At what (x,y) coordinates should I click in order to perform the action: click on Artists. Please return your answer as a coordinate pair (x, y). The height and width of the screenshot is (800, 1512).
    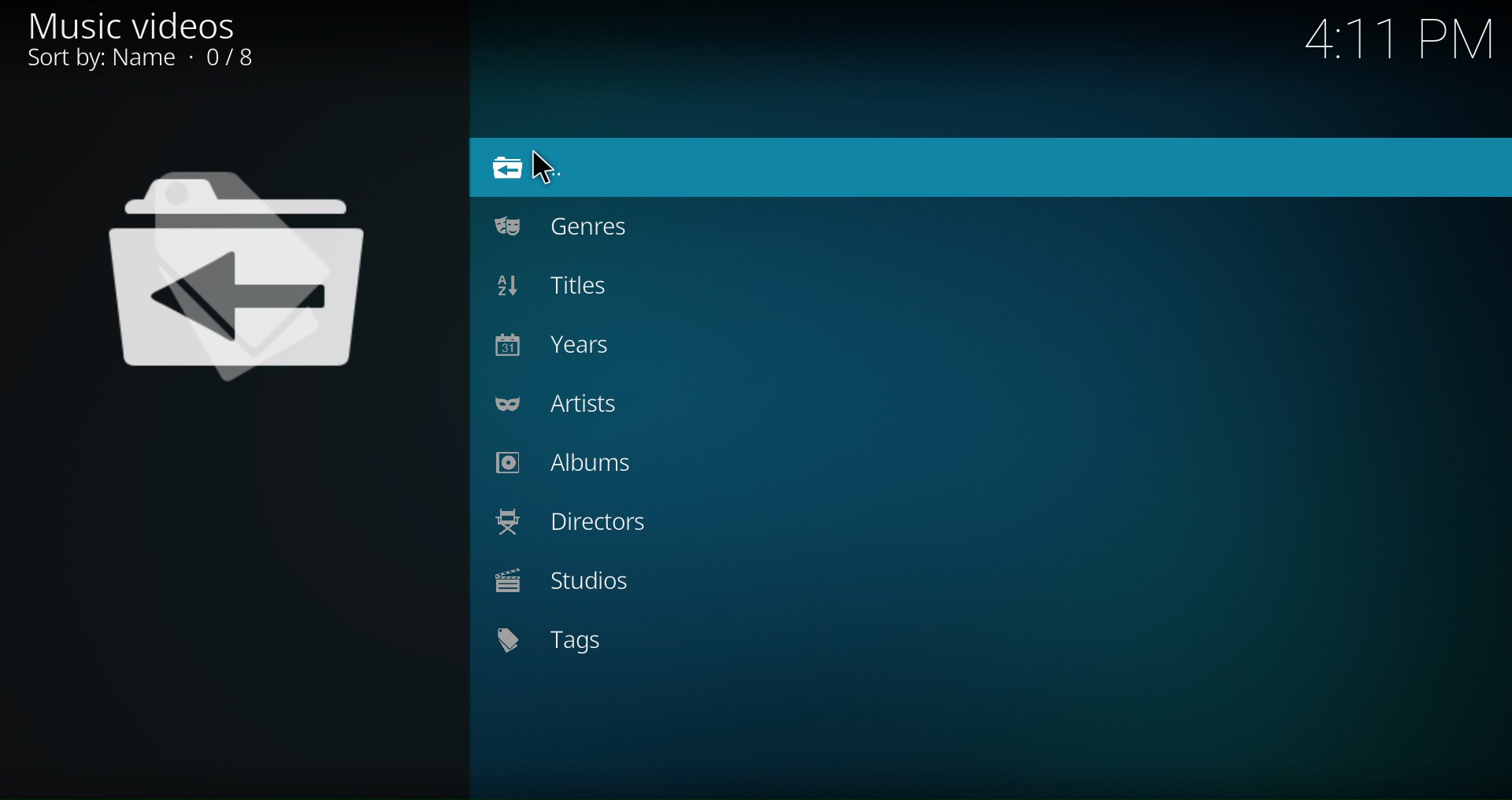
    Looking at the image, I should click on (606, 406).